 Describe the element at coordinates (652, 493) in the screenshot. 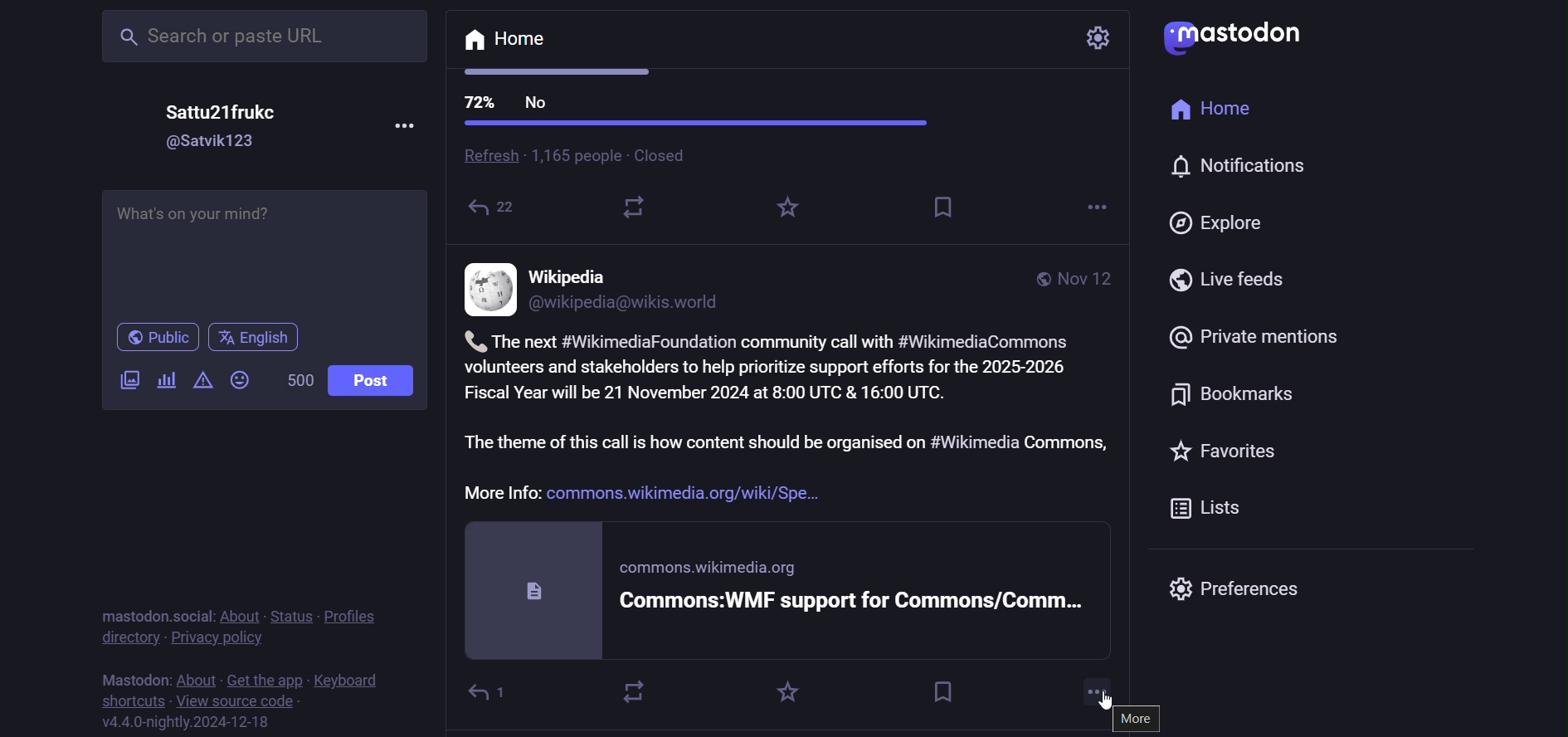

I see `More Info: commons.wikimedia.org/wiki/Spe...` at that location.